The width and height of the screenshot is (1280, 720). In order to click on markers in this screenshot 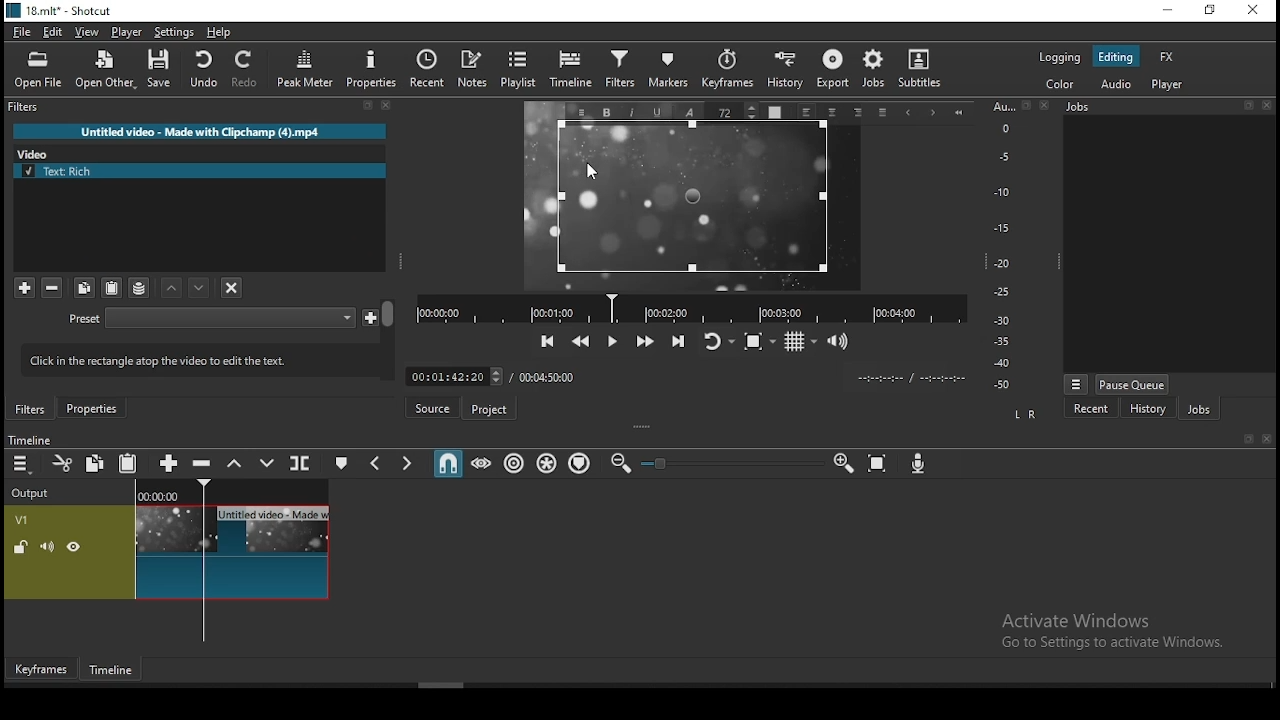, I will do `click(665, 74)`.